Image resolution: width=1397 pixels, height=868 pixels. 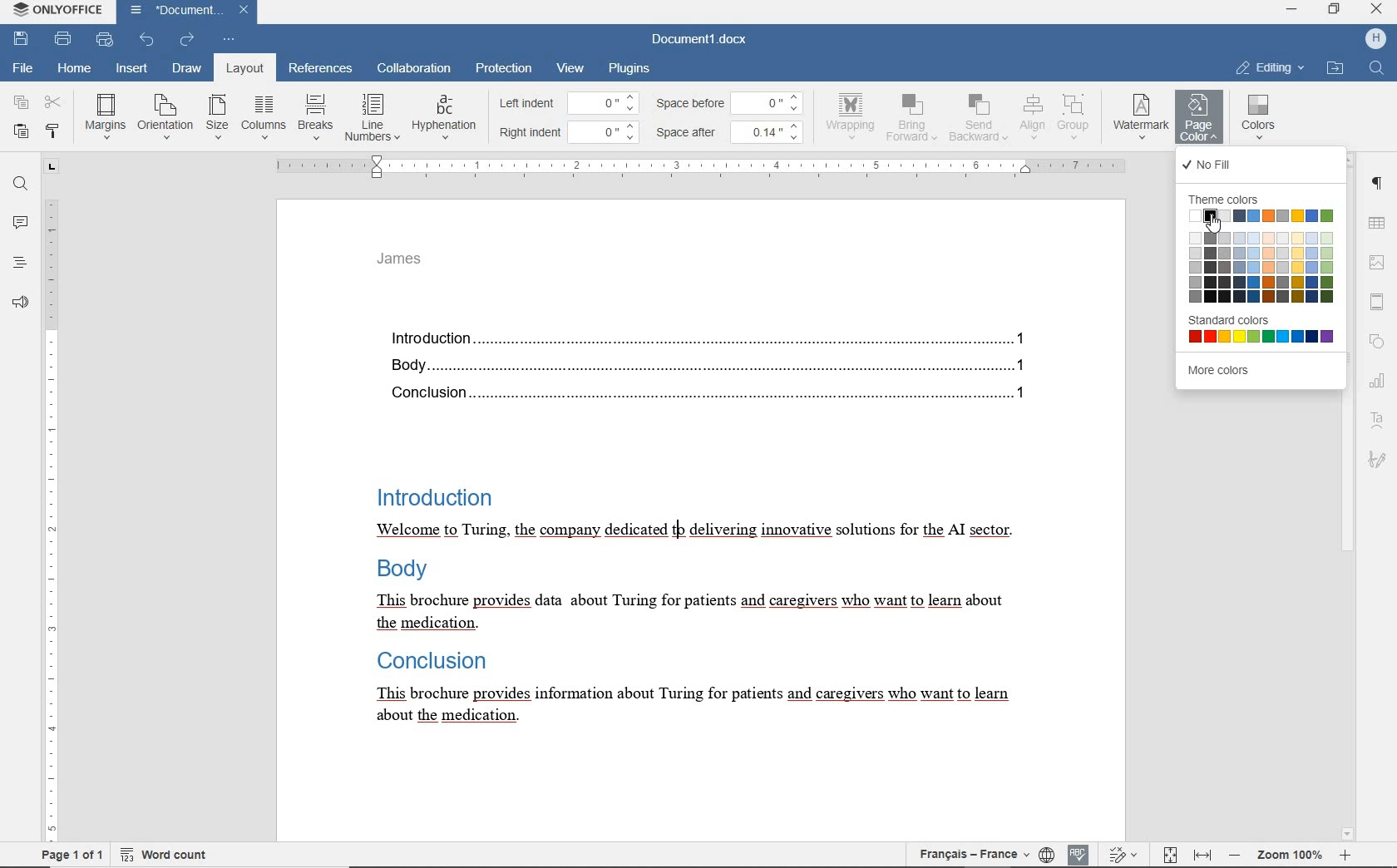 I want to click on insert, so click(x=129, y=70).